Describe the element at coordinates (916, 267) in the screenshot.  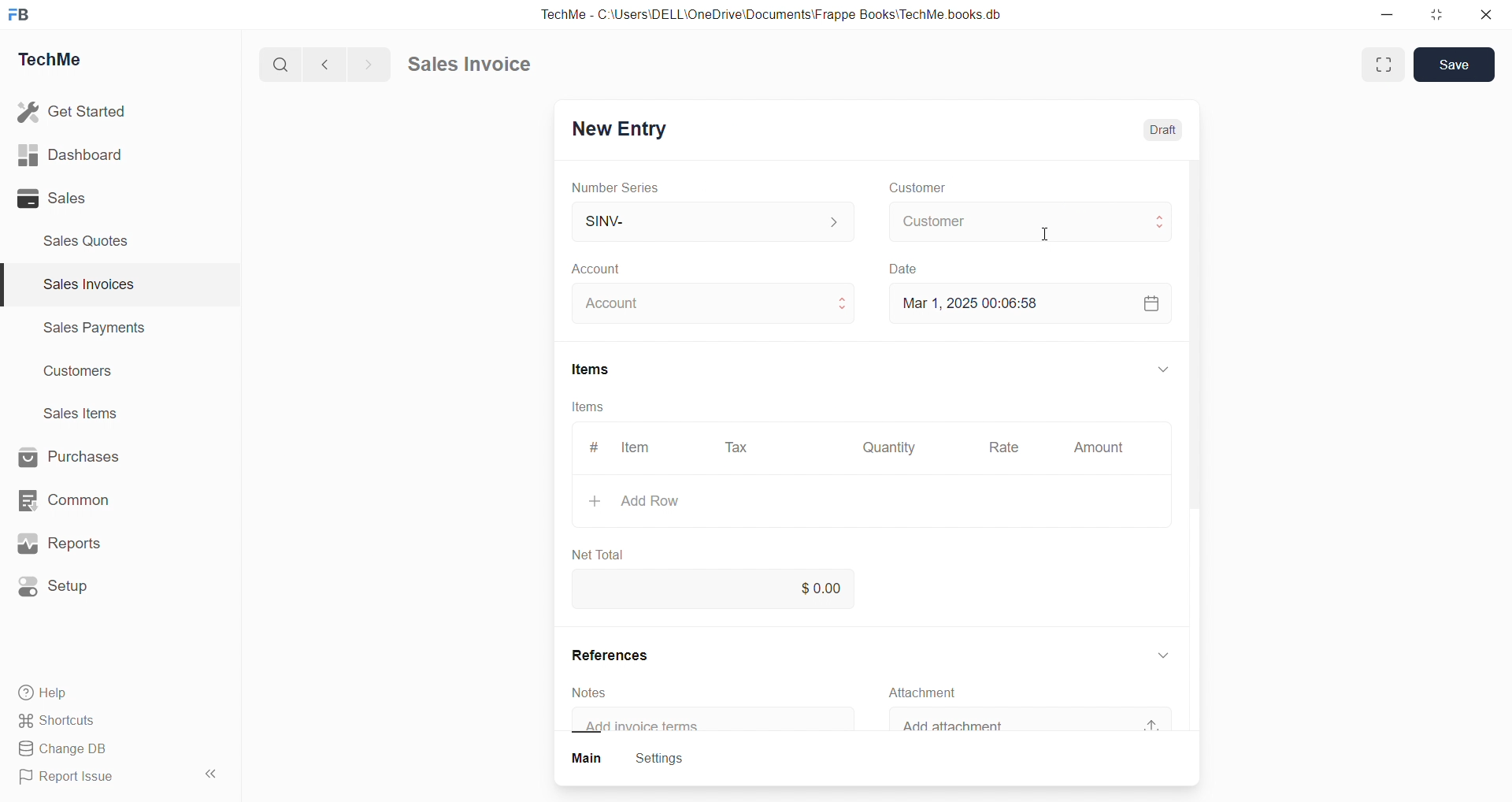
I see `Date` at that location.